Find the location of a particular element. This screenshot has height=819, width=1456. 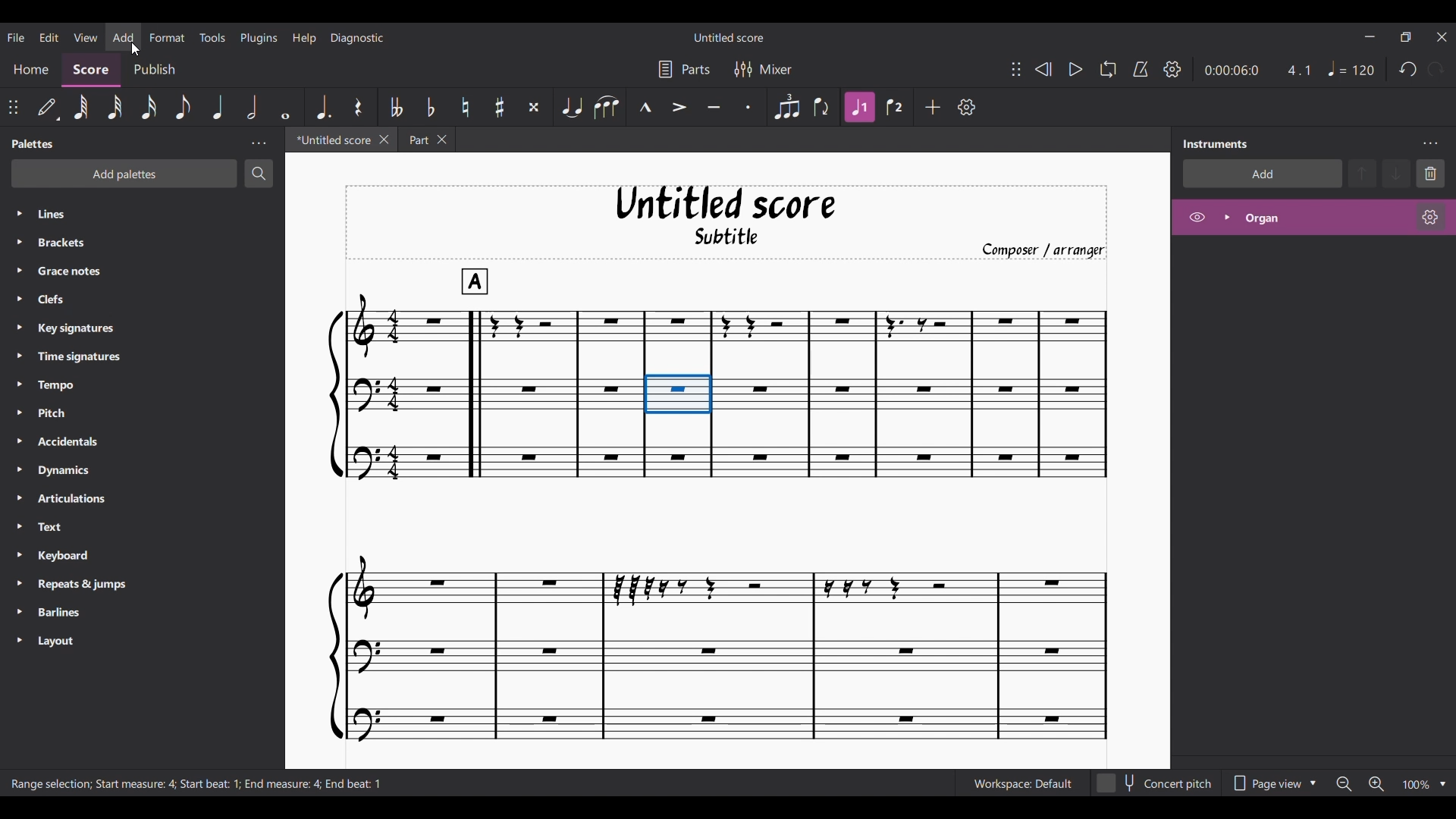

Panel title is located at coordinates (32, 143).